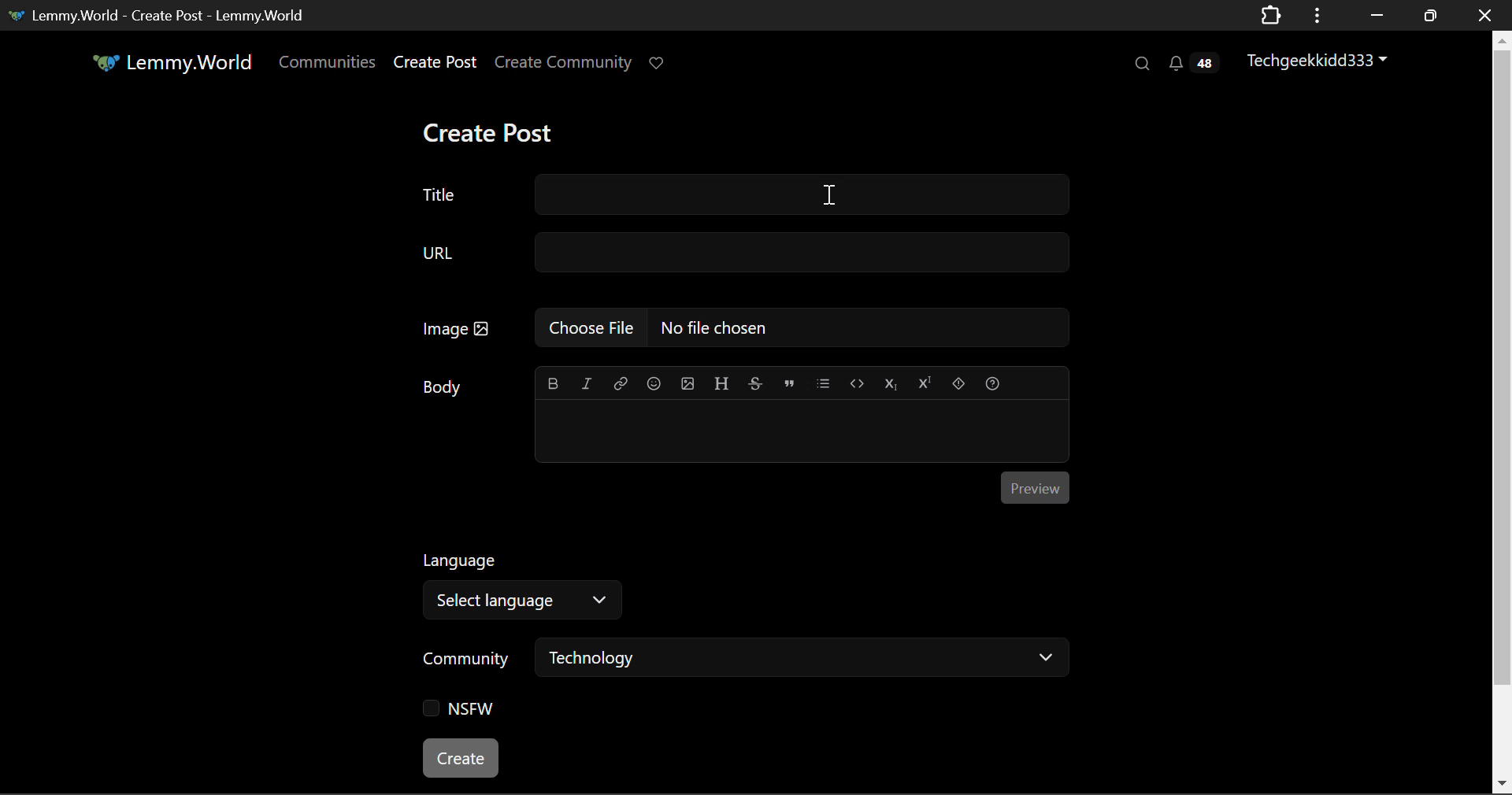  Describe the element at coordinates (487, 135) in the screenshot. I see `Create Post` at that location.